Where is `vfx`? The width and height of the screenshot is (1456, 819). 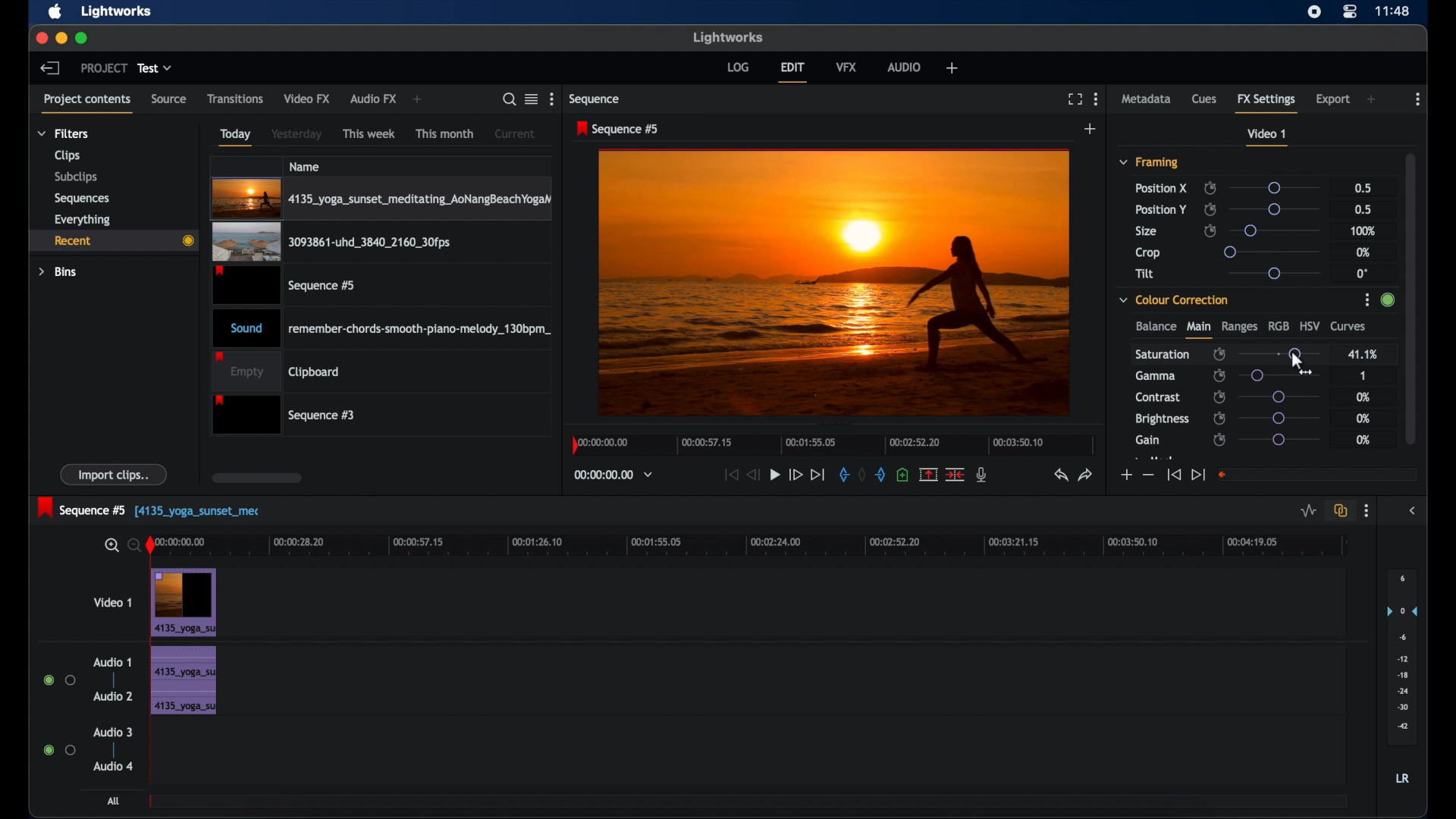
vfx is located at coordinates (847, 67).